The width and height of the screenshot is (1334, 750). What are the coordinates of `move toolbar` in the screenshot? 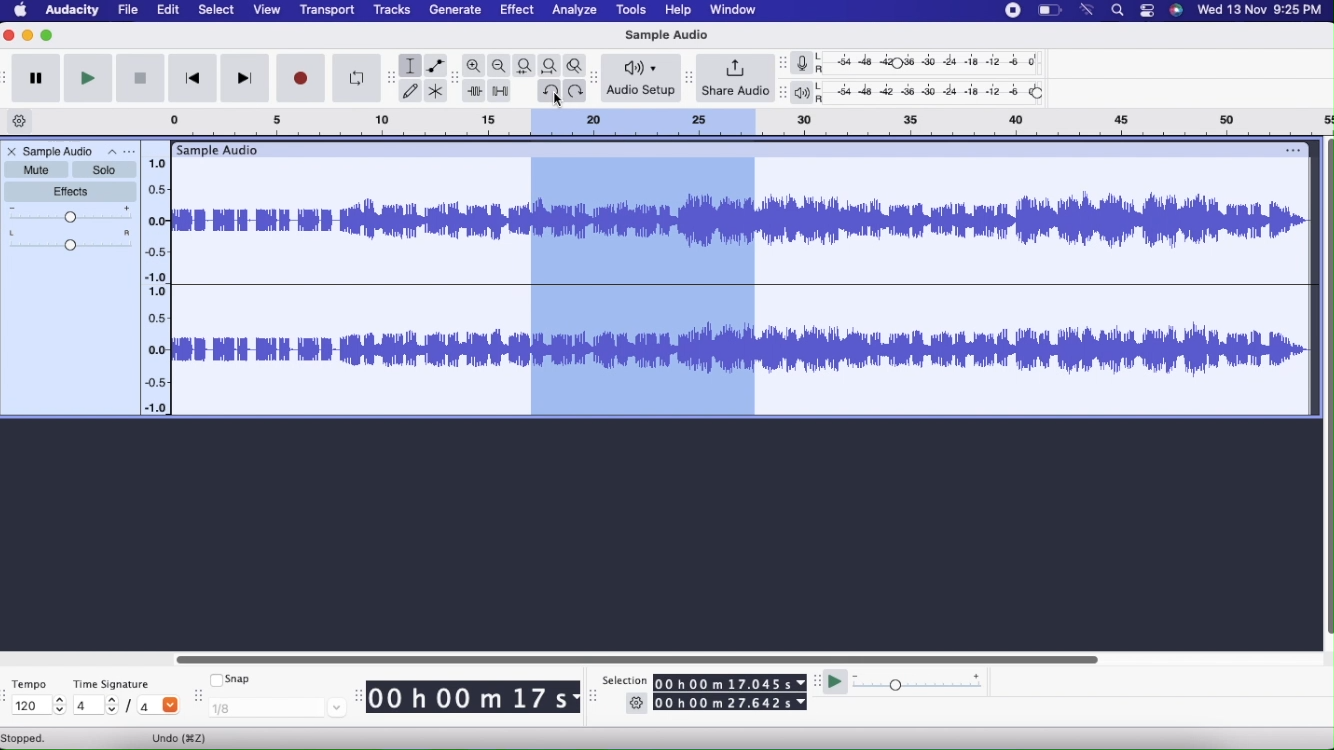 It's located at (454, 77).